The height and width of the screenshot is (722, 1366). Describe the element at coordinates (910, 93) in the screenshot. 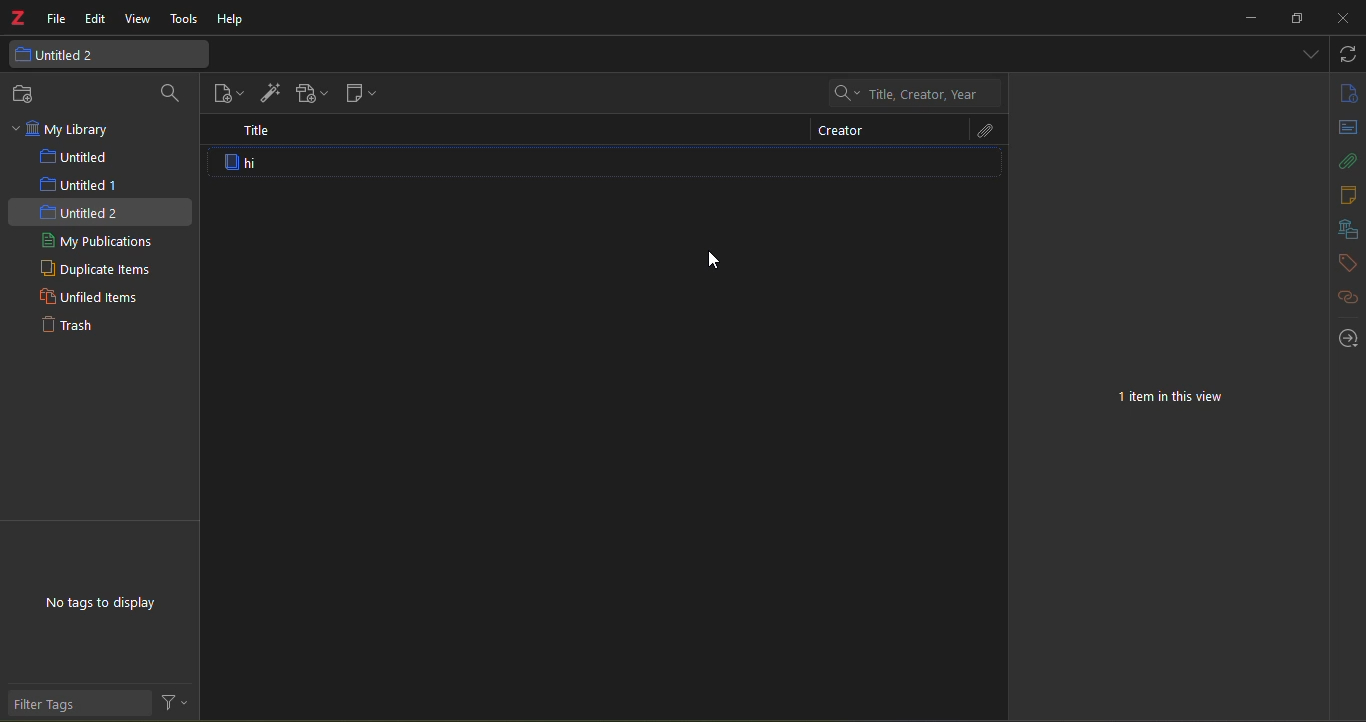

I see `Title, Creator, Year` at that location.